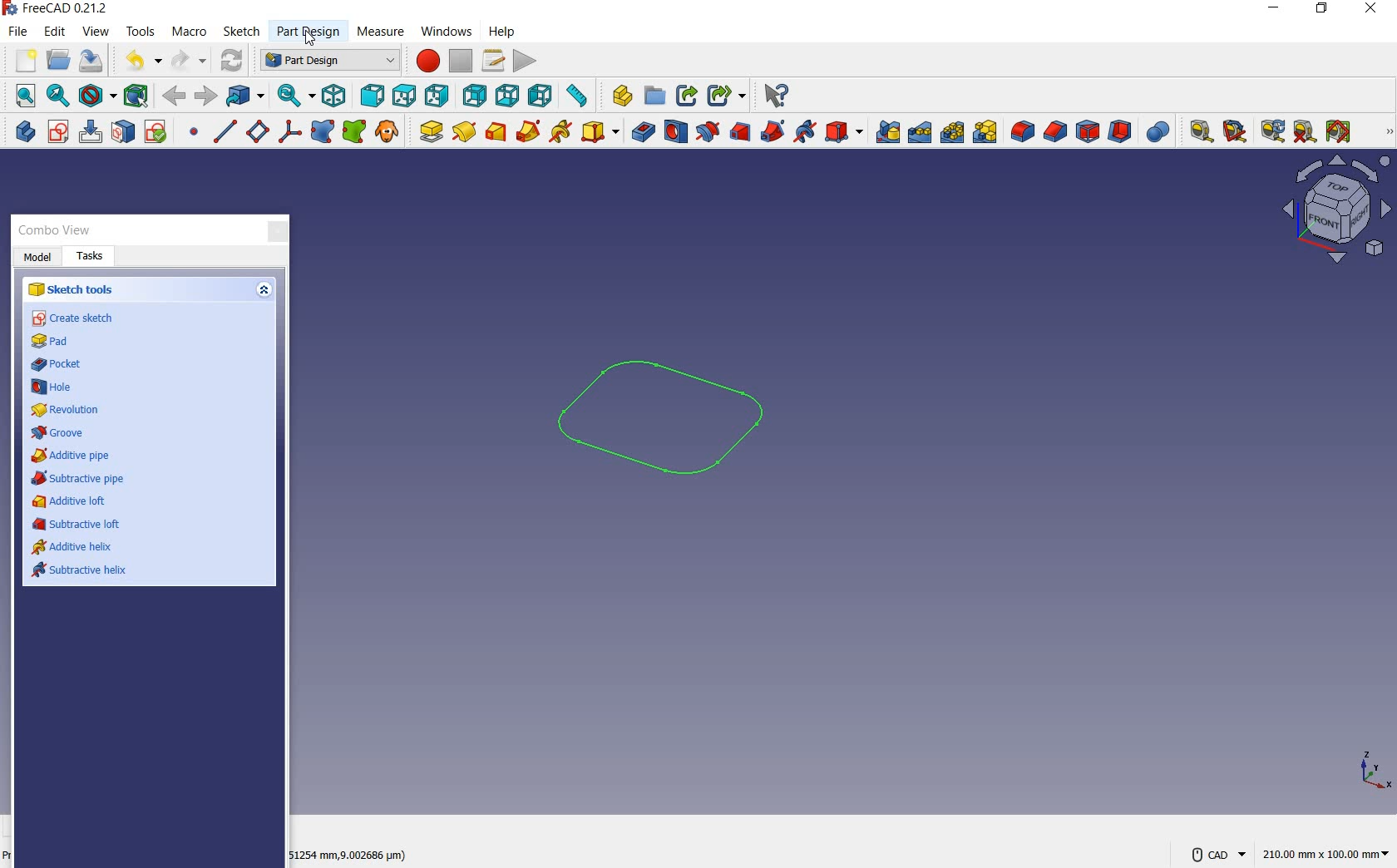 This screenshot has width=1397, height=868. What do you see at coordinates (225, 131) in the screenshot?
I see `create a datum line` at bounding box center [225, 131].